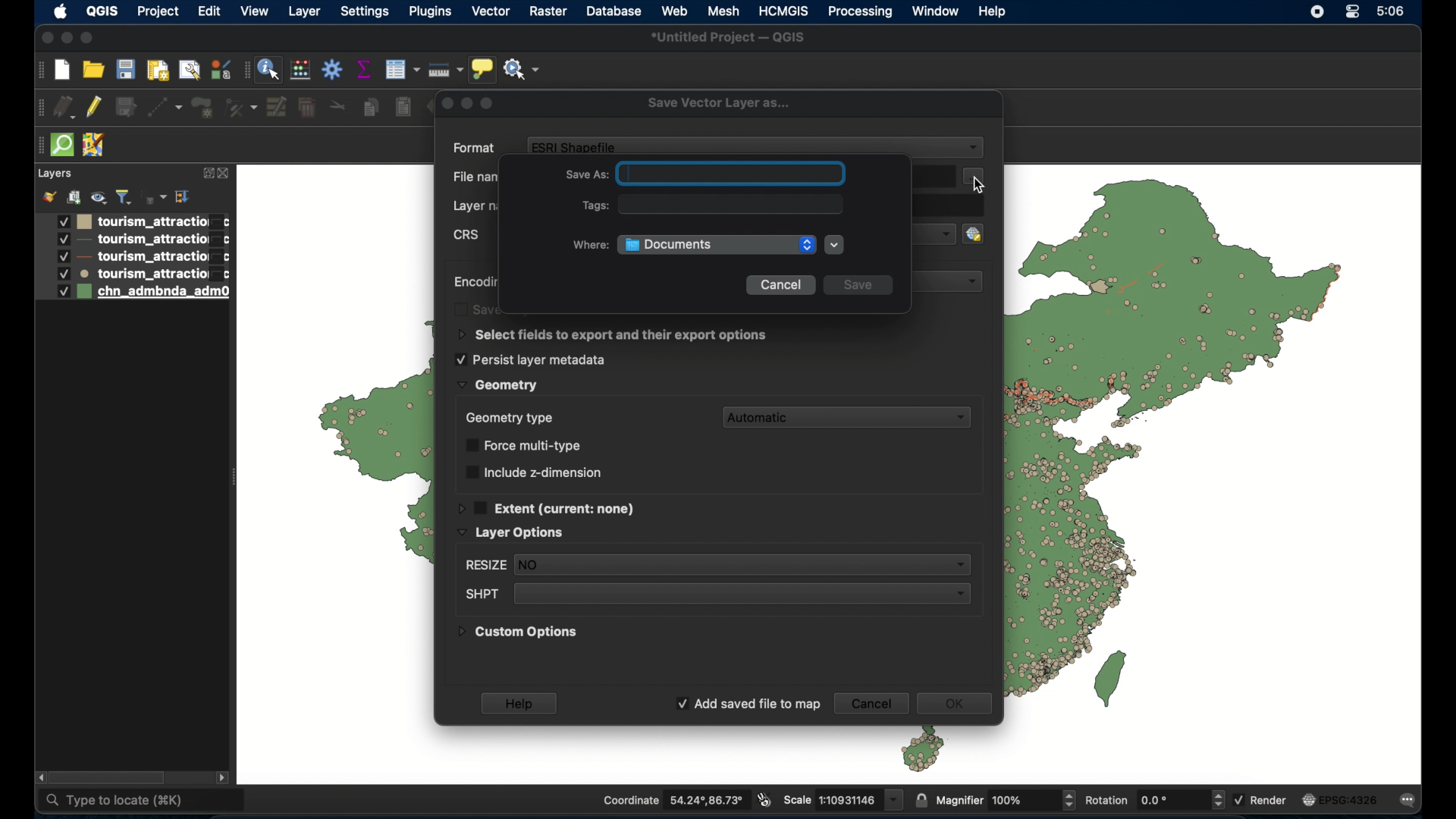  Describe the element at coordinates (522, 67) in the screenshot. I see `no action selected` at that location.